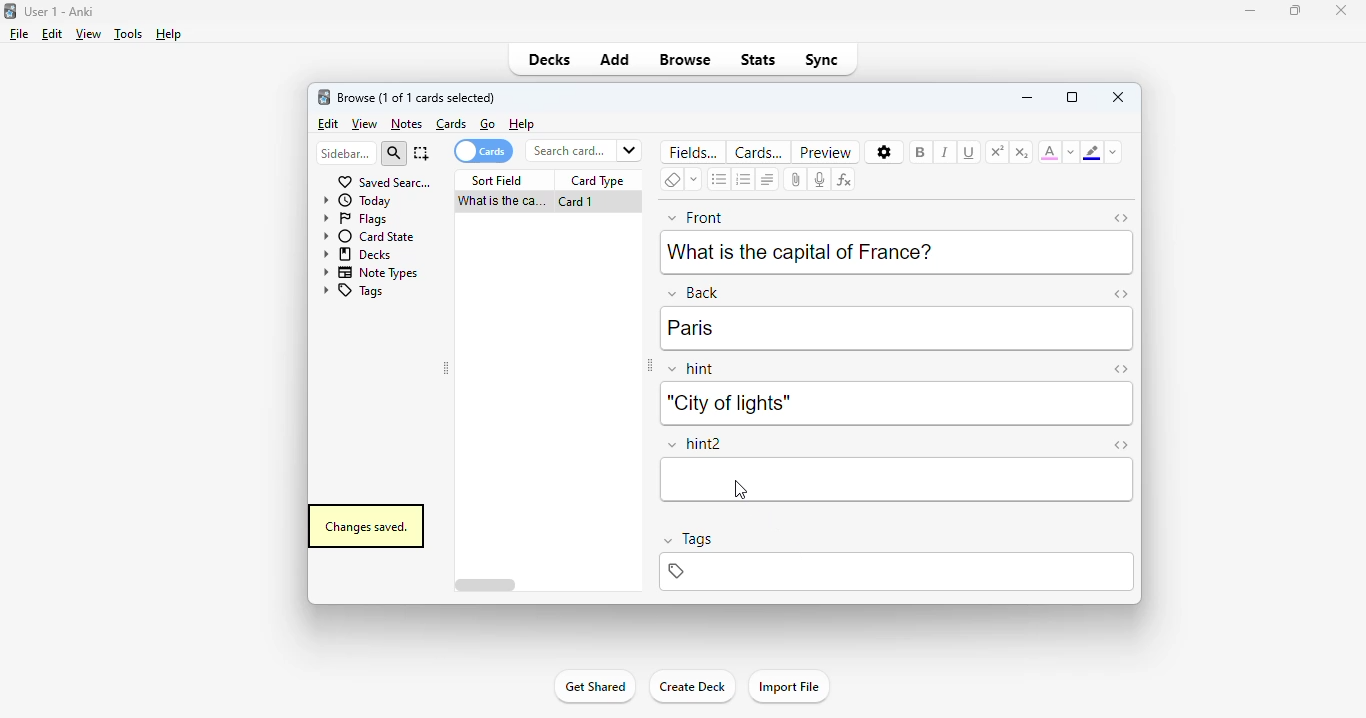 This screenshot has height=718, width=1366. Describe the element at coordinates (819, 180) in the screenshot. I see `record audio` at that location.